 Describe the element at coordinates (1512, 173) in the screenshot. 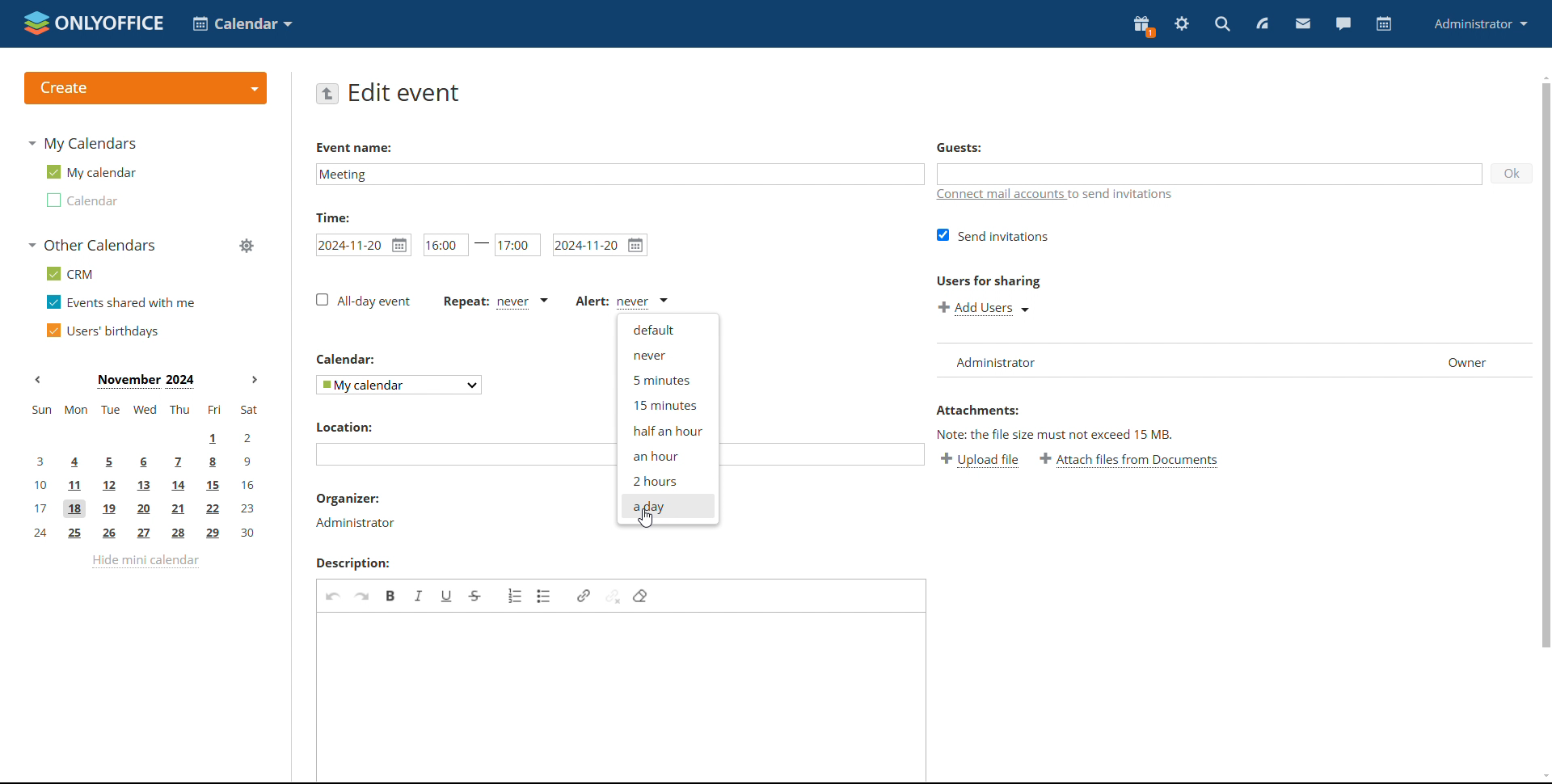

I see `ok` at that location.